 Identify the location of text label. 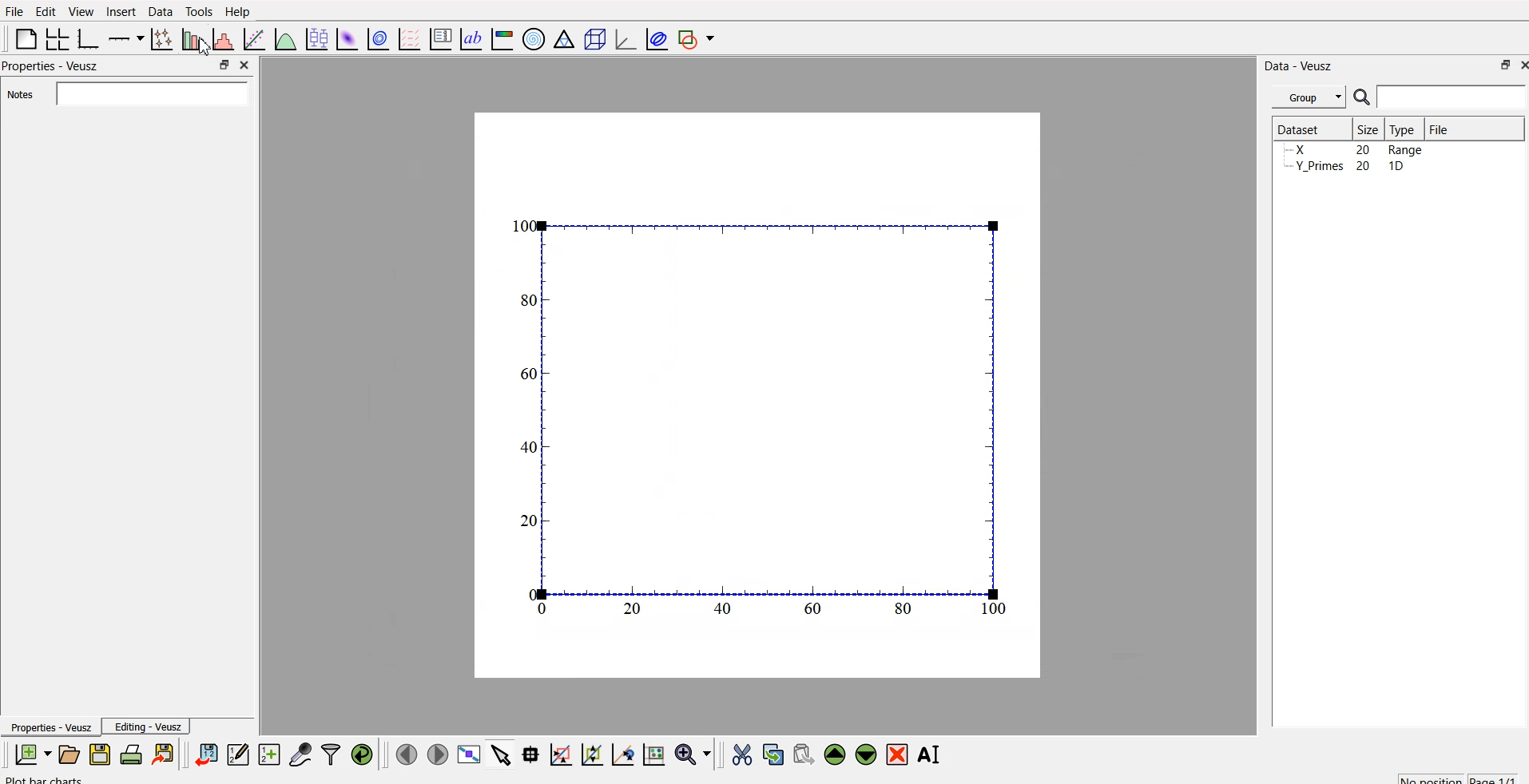
(469, 39).